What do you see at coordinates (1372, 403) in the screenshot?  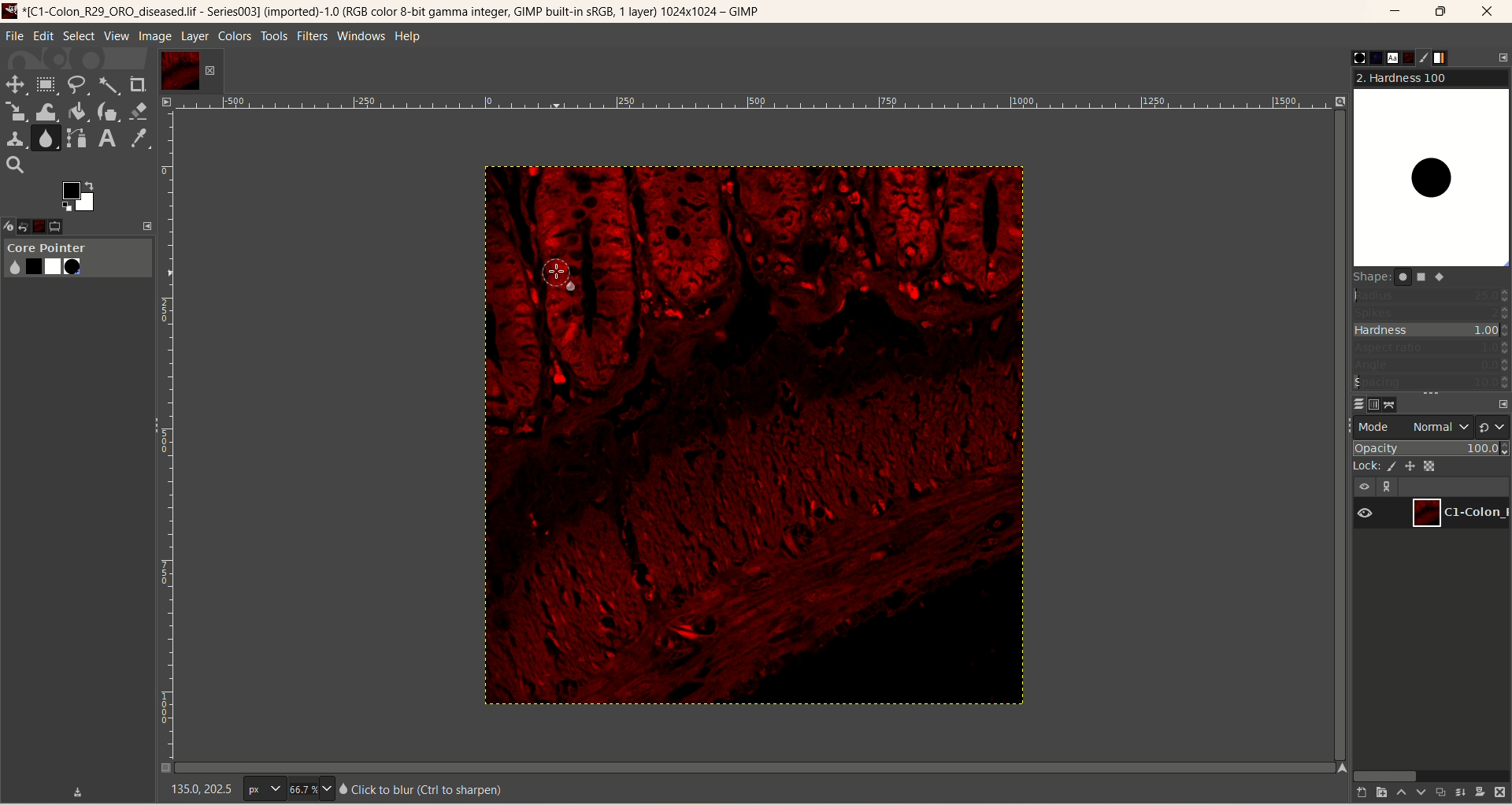 I see `channels` at bounding box center [1372, 403].